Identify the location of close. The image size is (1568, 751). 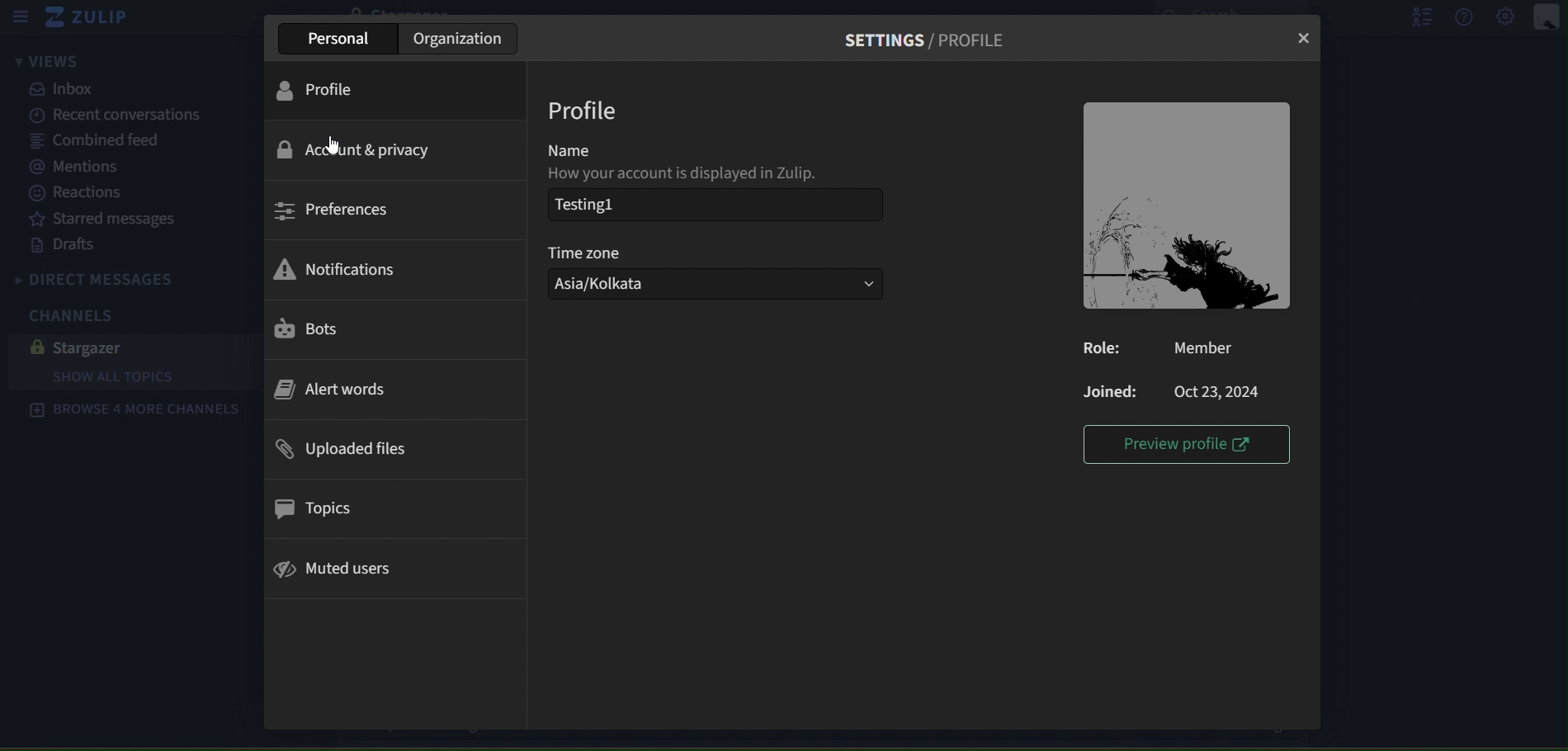
(1306, 39).